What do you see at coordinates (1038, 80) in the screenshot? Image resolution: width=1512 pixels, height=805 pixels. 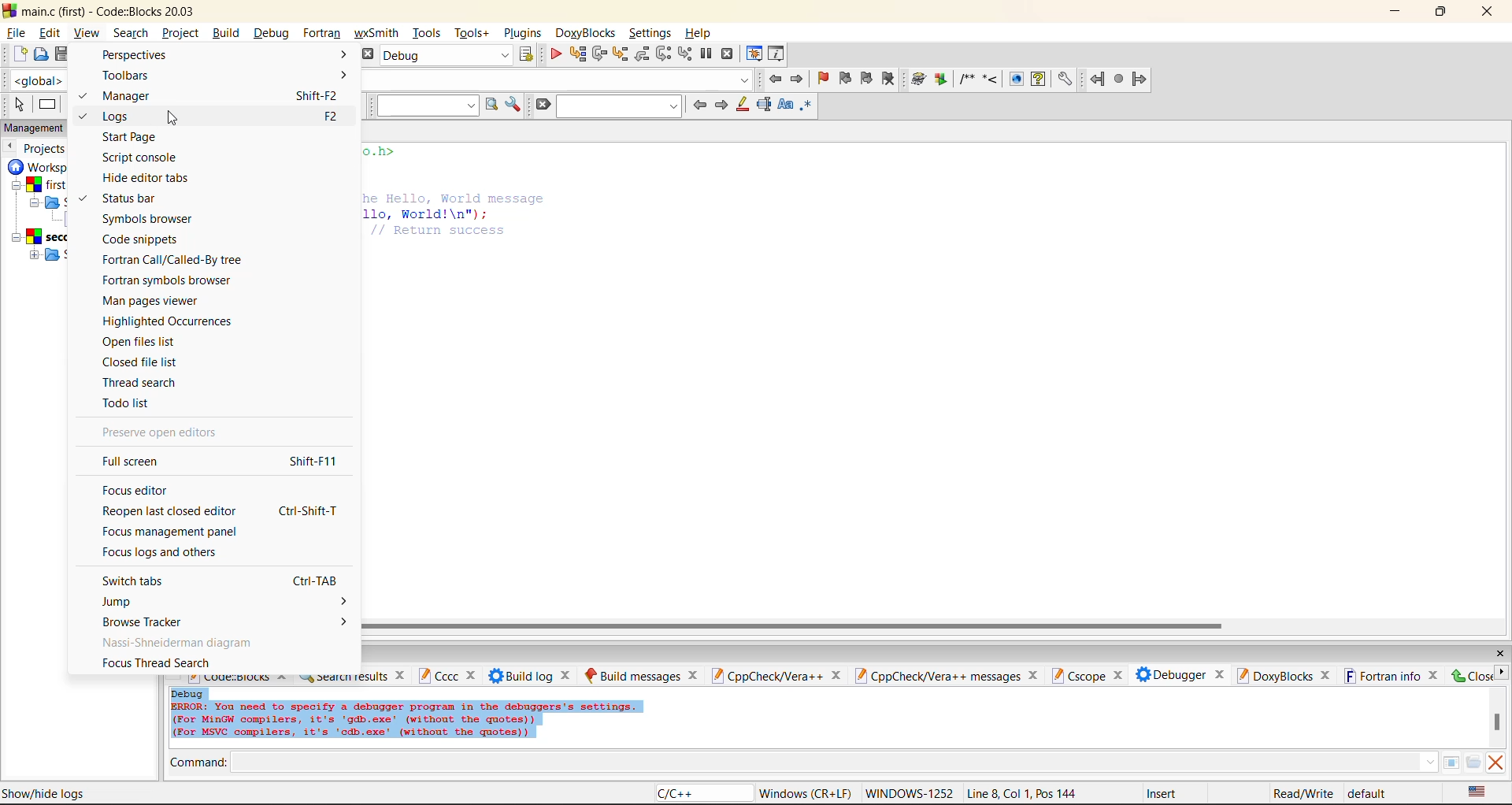 I see `help` at bounding box center [1038, 80].